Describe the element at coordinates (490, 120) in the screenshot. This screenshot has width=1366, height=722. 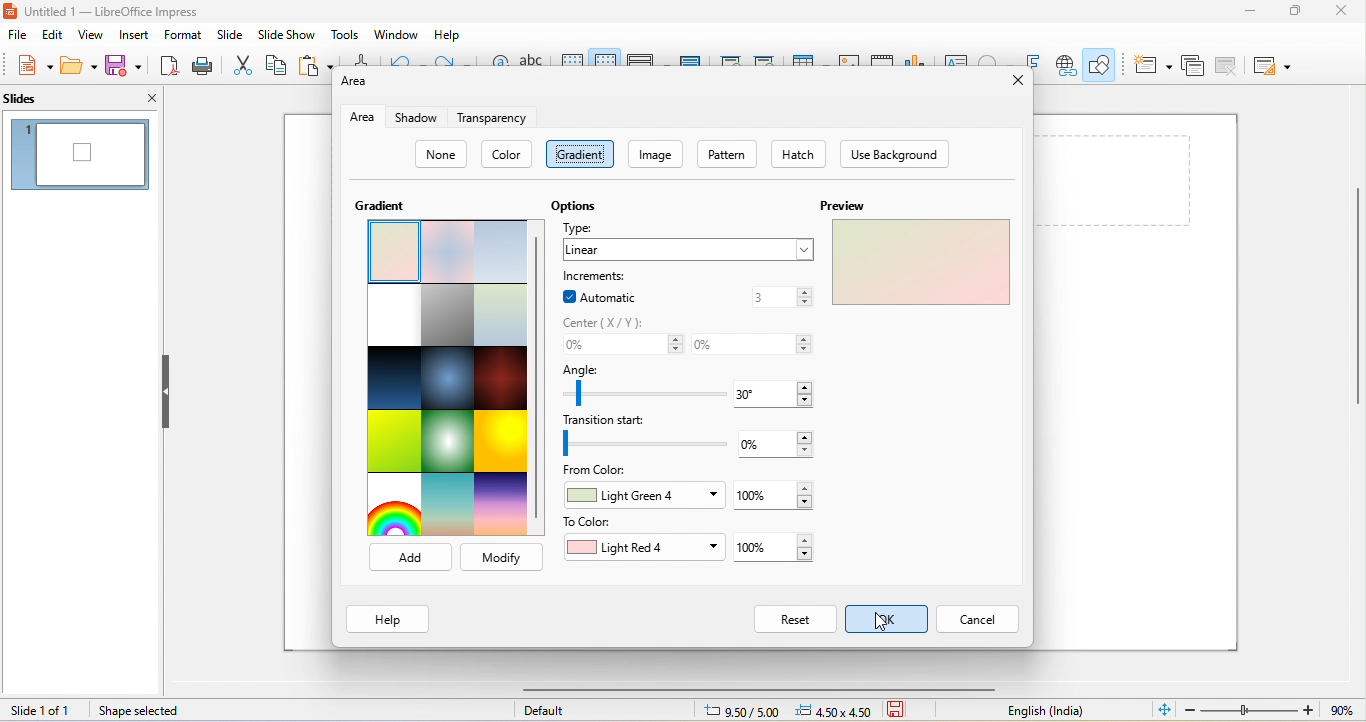
I see `transparency` at that location.